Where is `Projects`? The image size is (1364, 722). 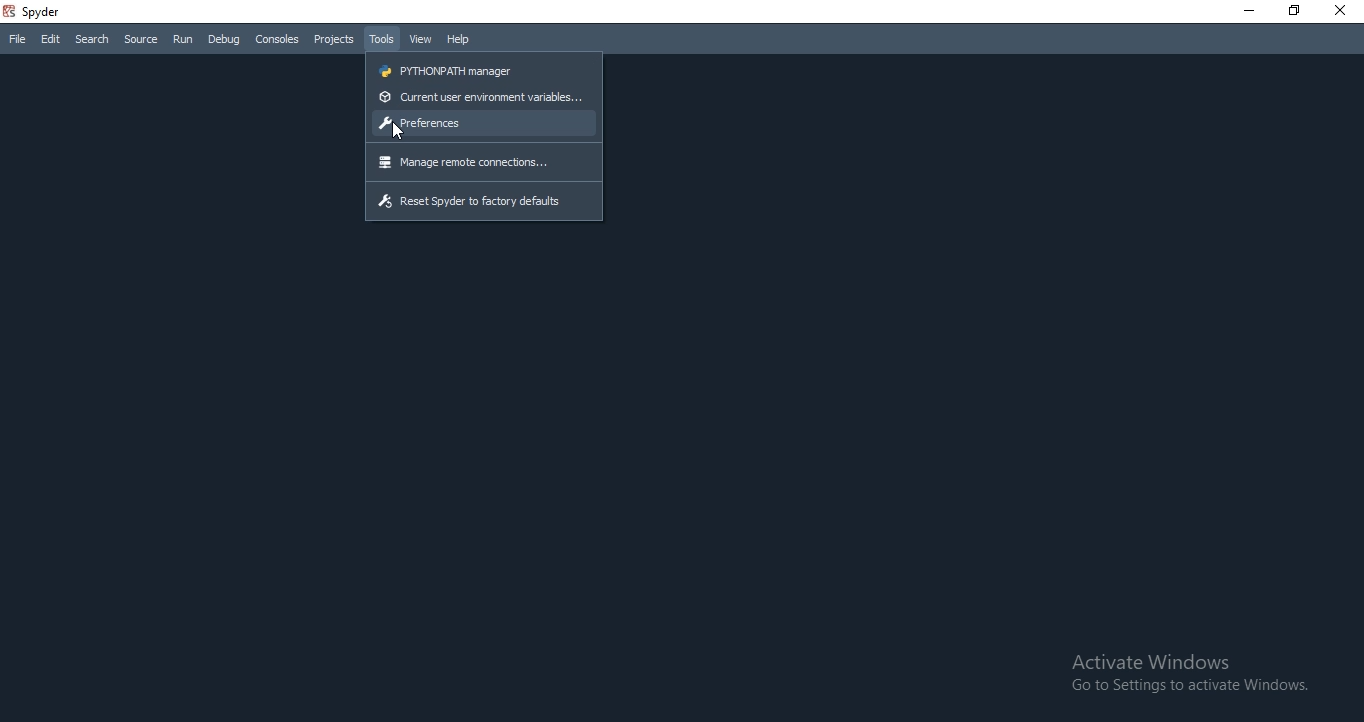
Projects is located at coordinates (332, 40).